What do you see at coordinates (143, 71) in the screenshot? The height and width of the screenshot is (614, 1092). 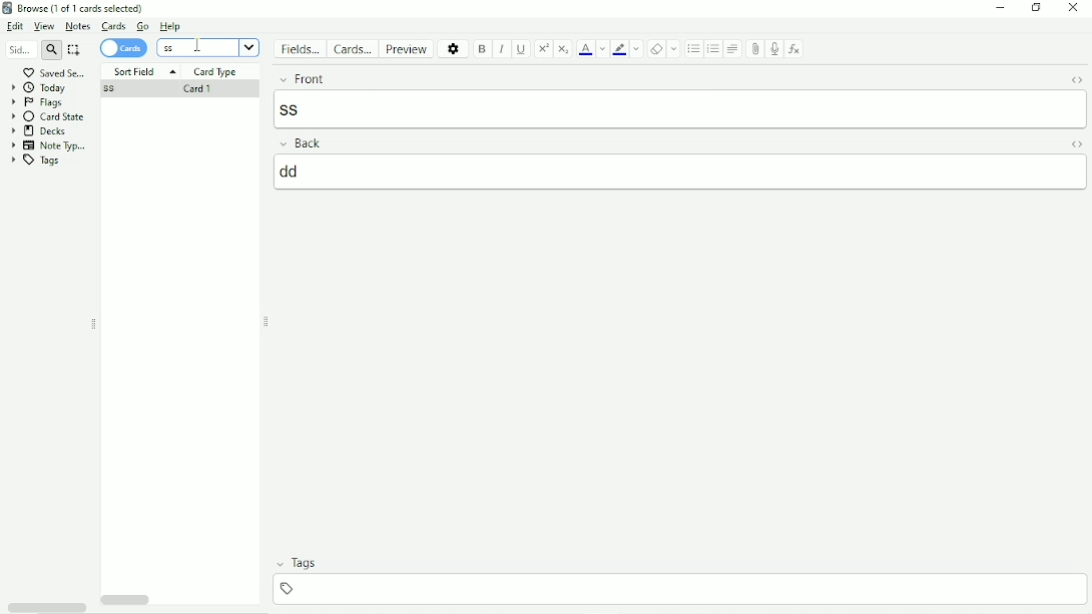 I see `Sort Field` at bounding box center [143, 71].